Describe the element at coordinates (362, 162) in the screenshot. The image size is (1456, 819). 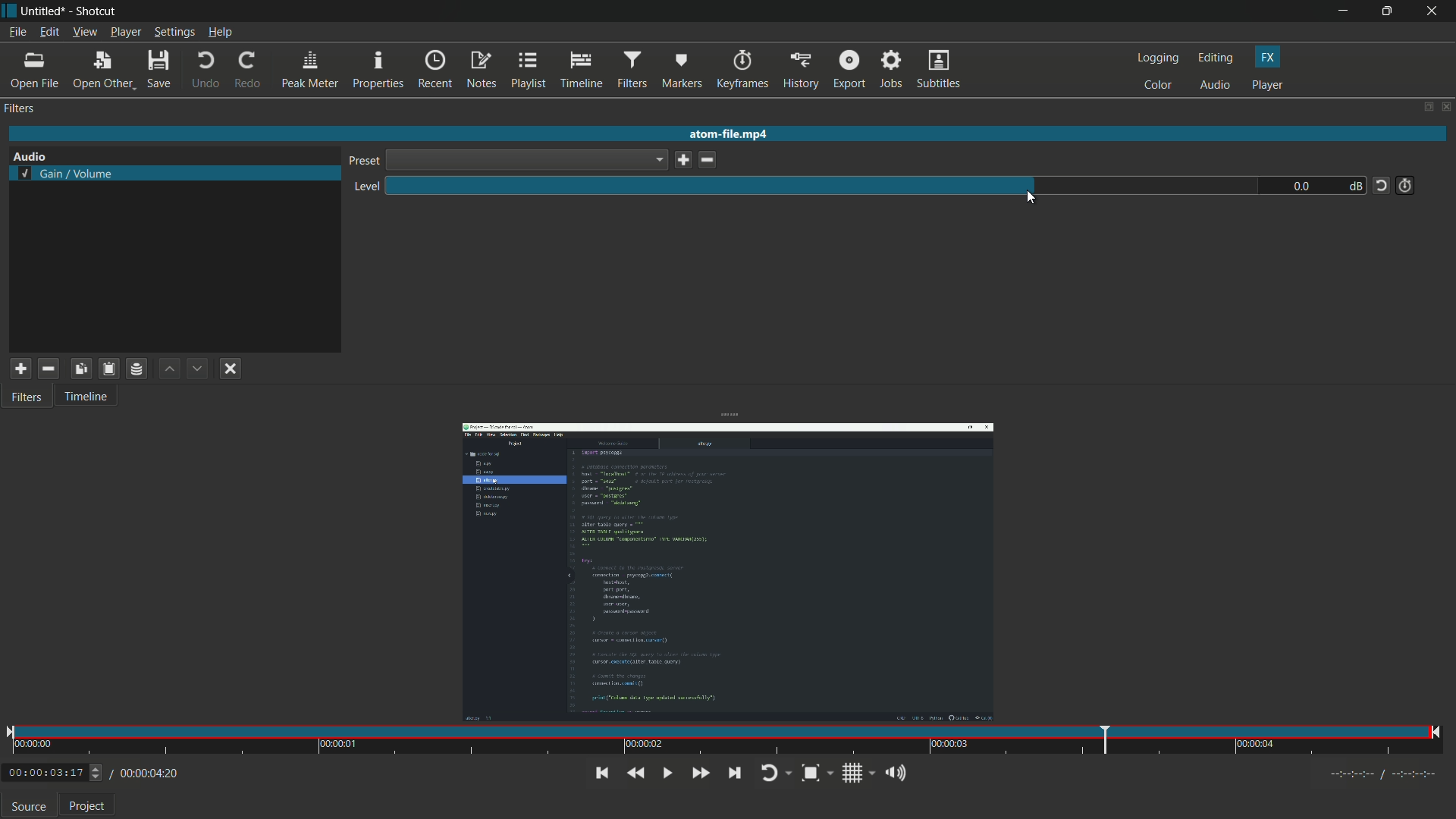
I see `preset` at that location.